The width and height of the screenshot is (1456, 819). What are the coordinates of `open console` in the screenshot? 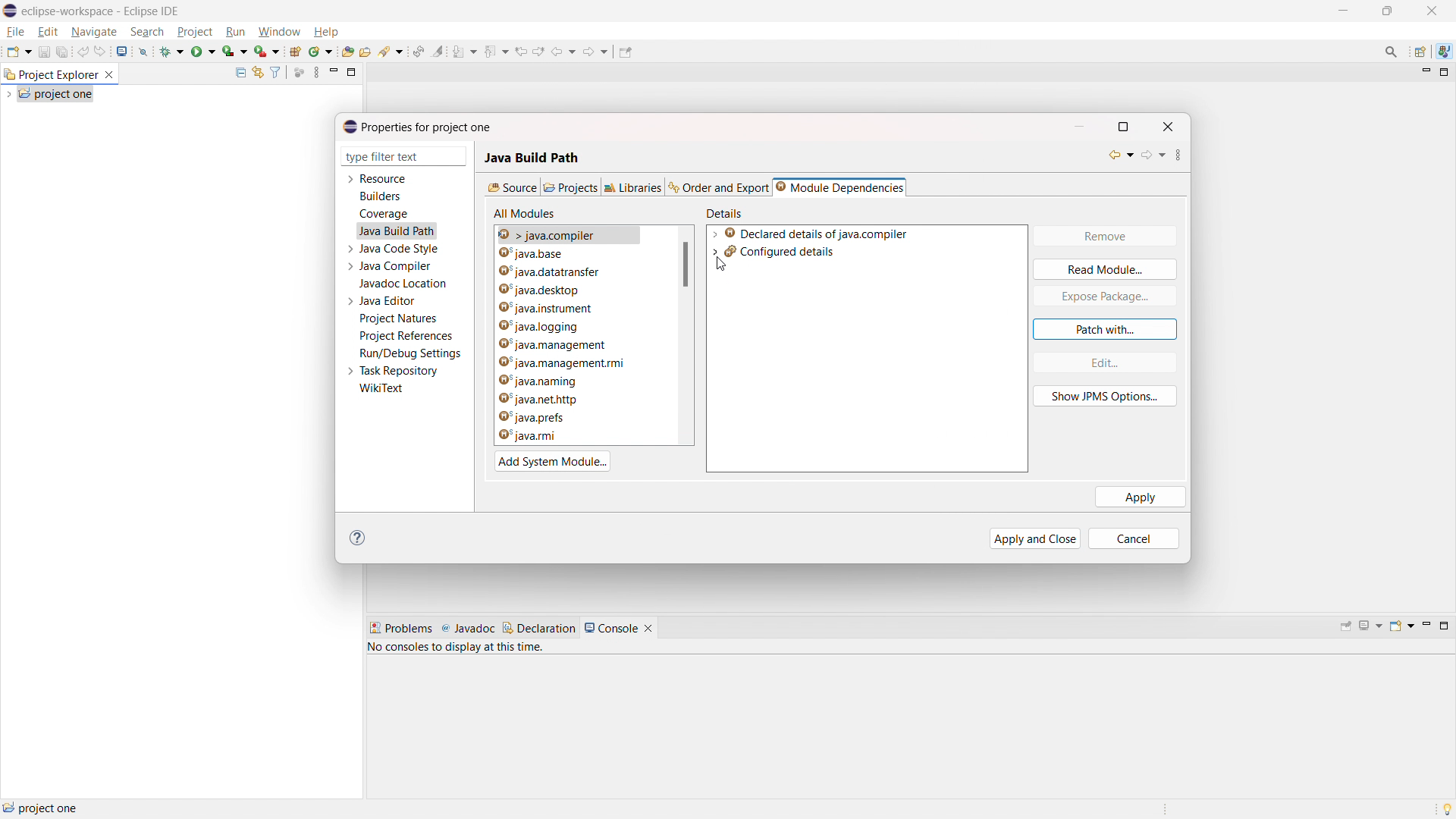 It's located at (123, 52).